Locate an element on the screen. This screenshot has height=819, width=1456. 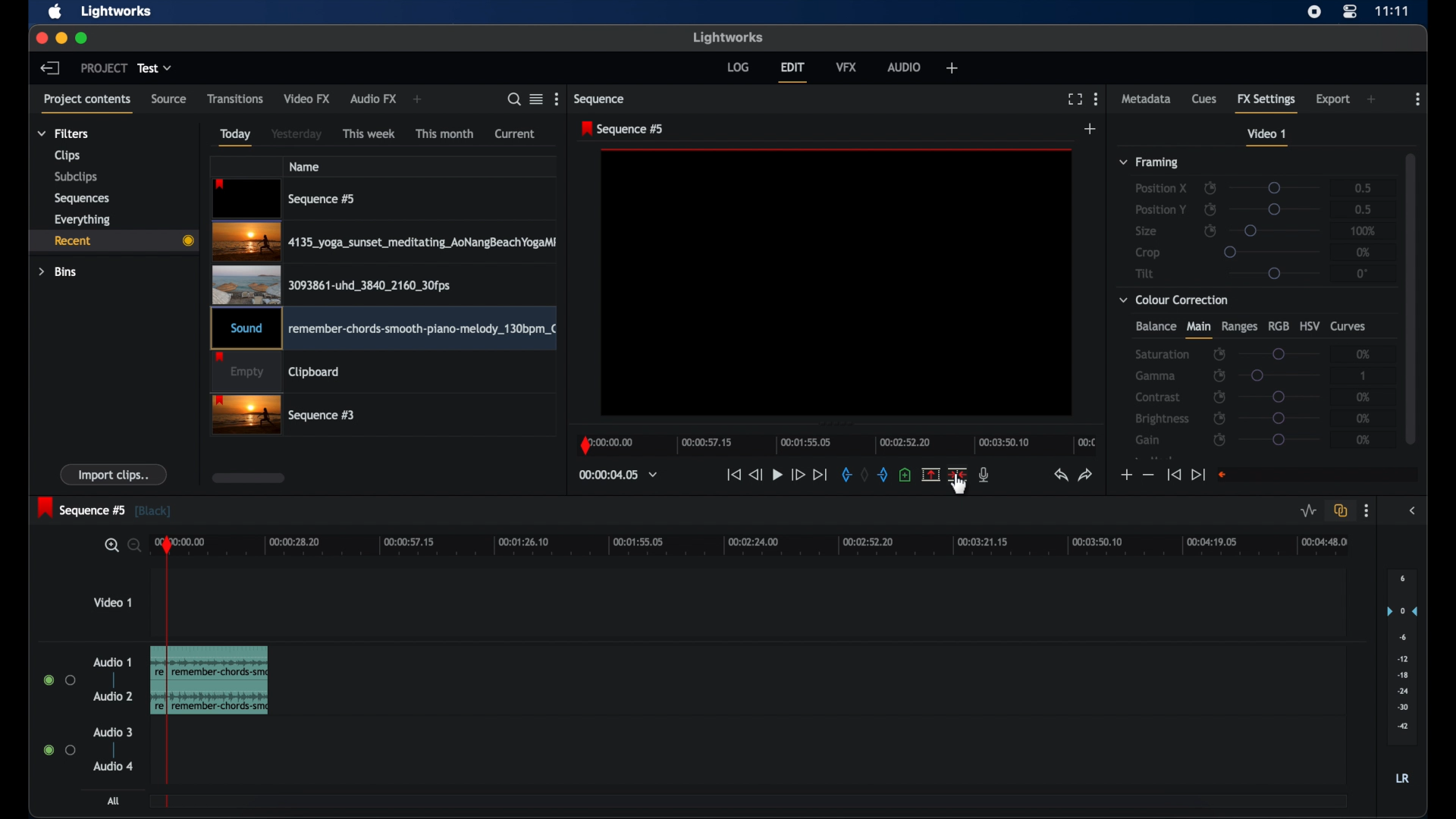
timecodes and reels is located at coordinates (618, 475).